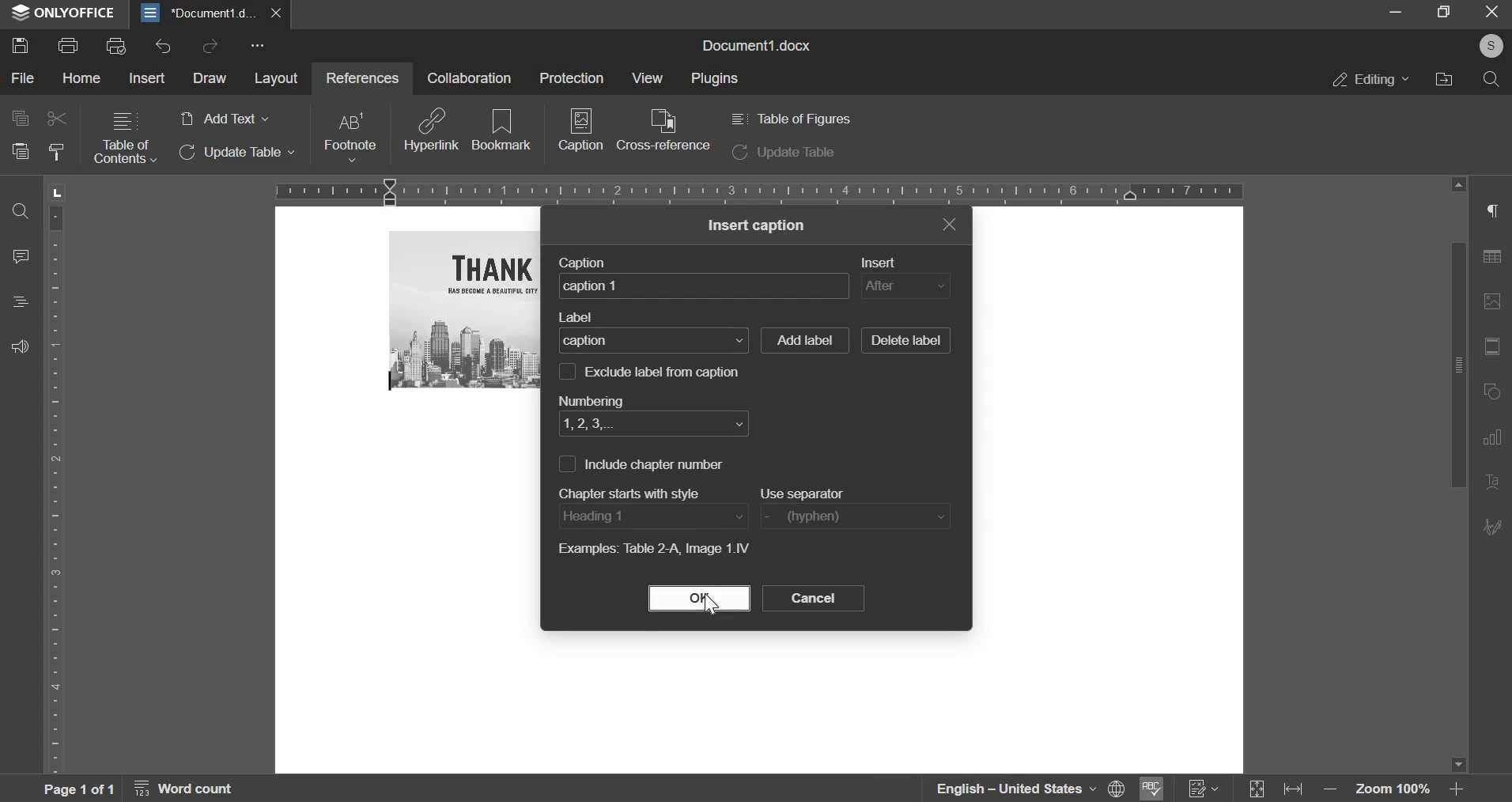  Describe the element at coordinates (24, 79) in the screenshot. I see `file` at that location.